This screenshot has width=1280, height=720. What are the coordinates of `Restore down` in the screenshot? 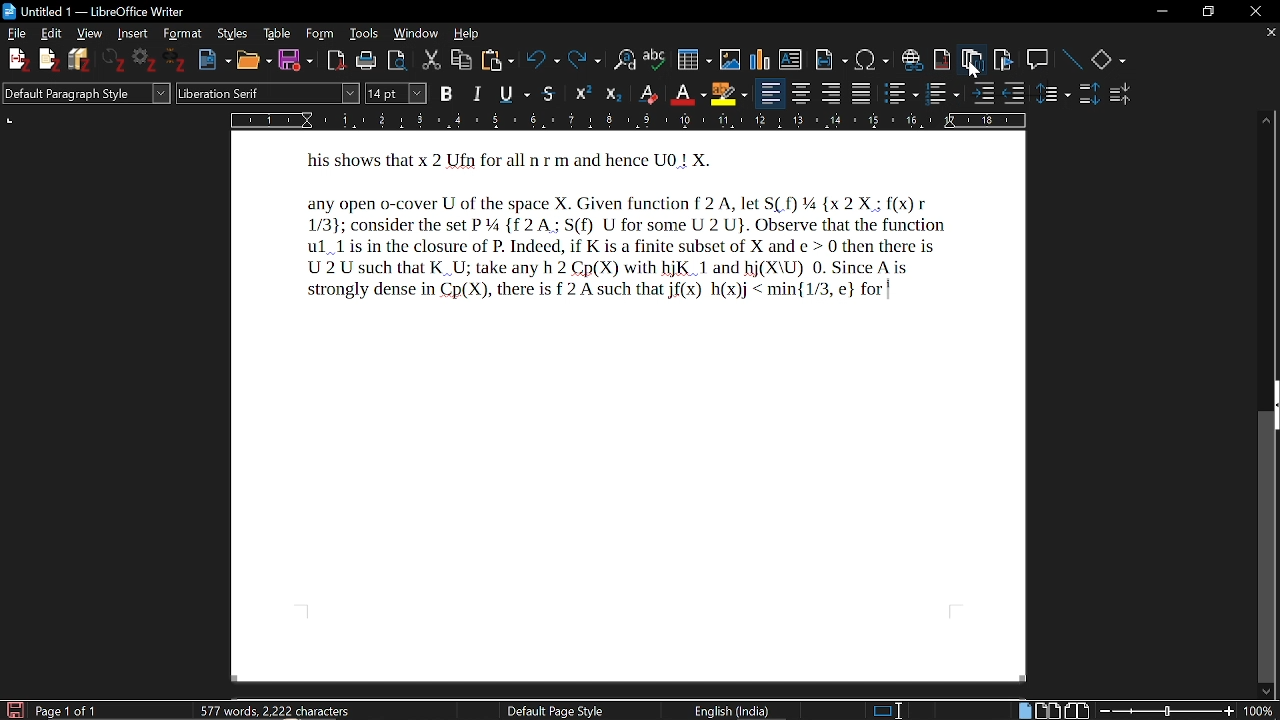 It's located at (1205, 12).